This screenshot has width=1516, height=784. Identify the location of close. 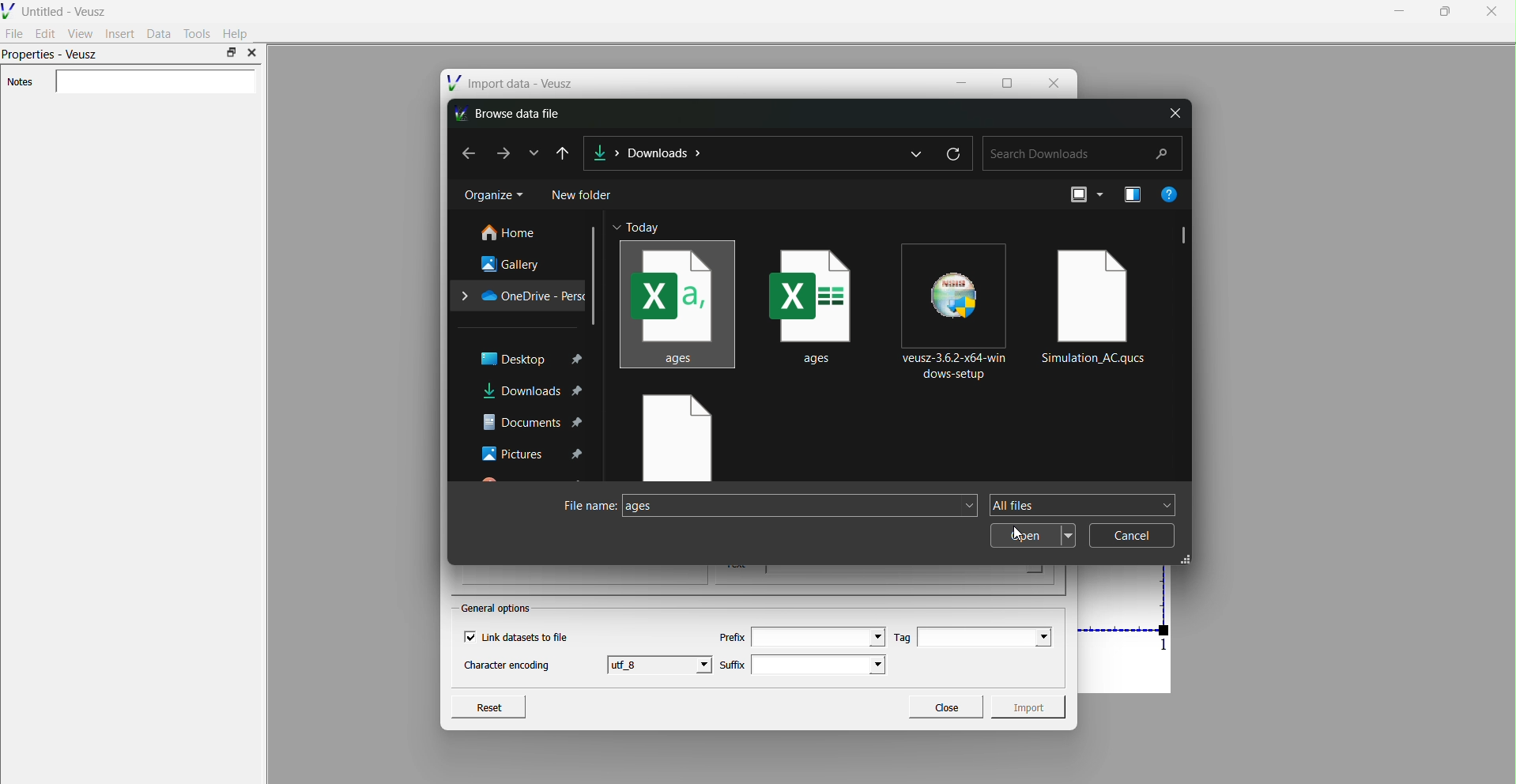
(1053, 81).